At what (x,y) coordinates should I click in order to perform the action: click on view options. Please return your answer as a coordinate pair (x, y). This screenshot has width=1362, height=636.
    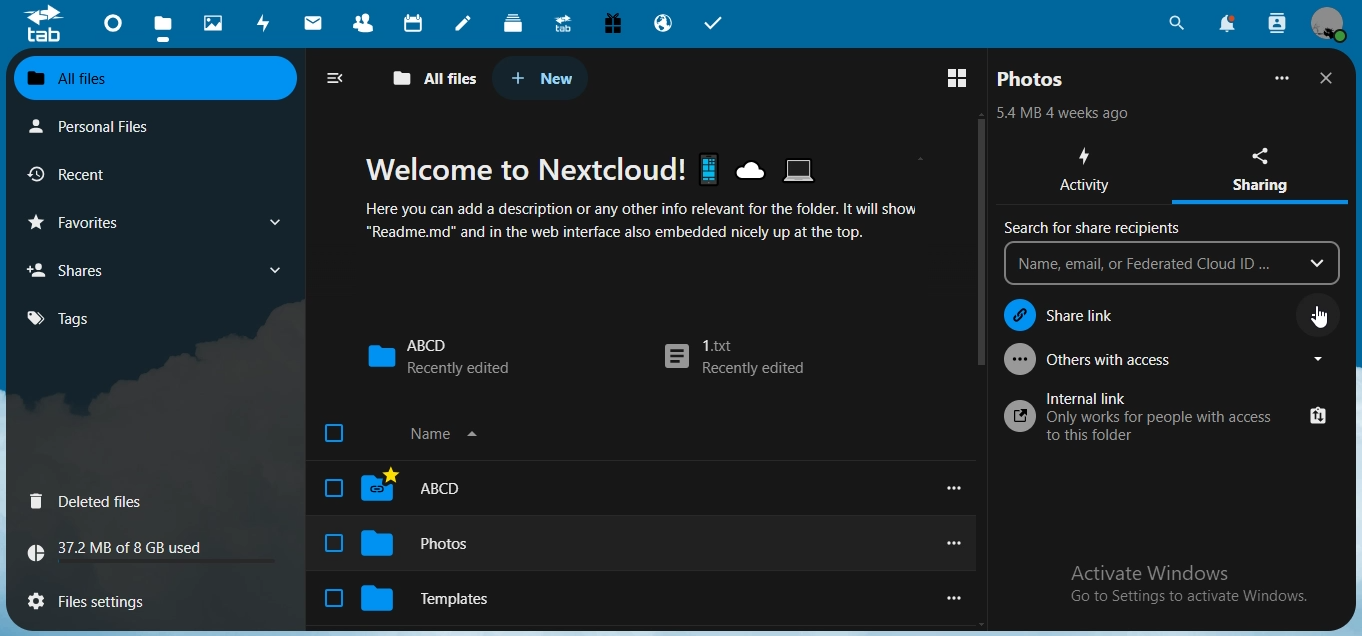
    Looking at the image, I should click on (956, 543).